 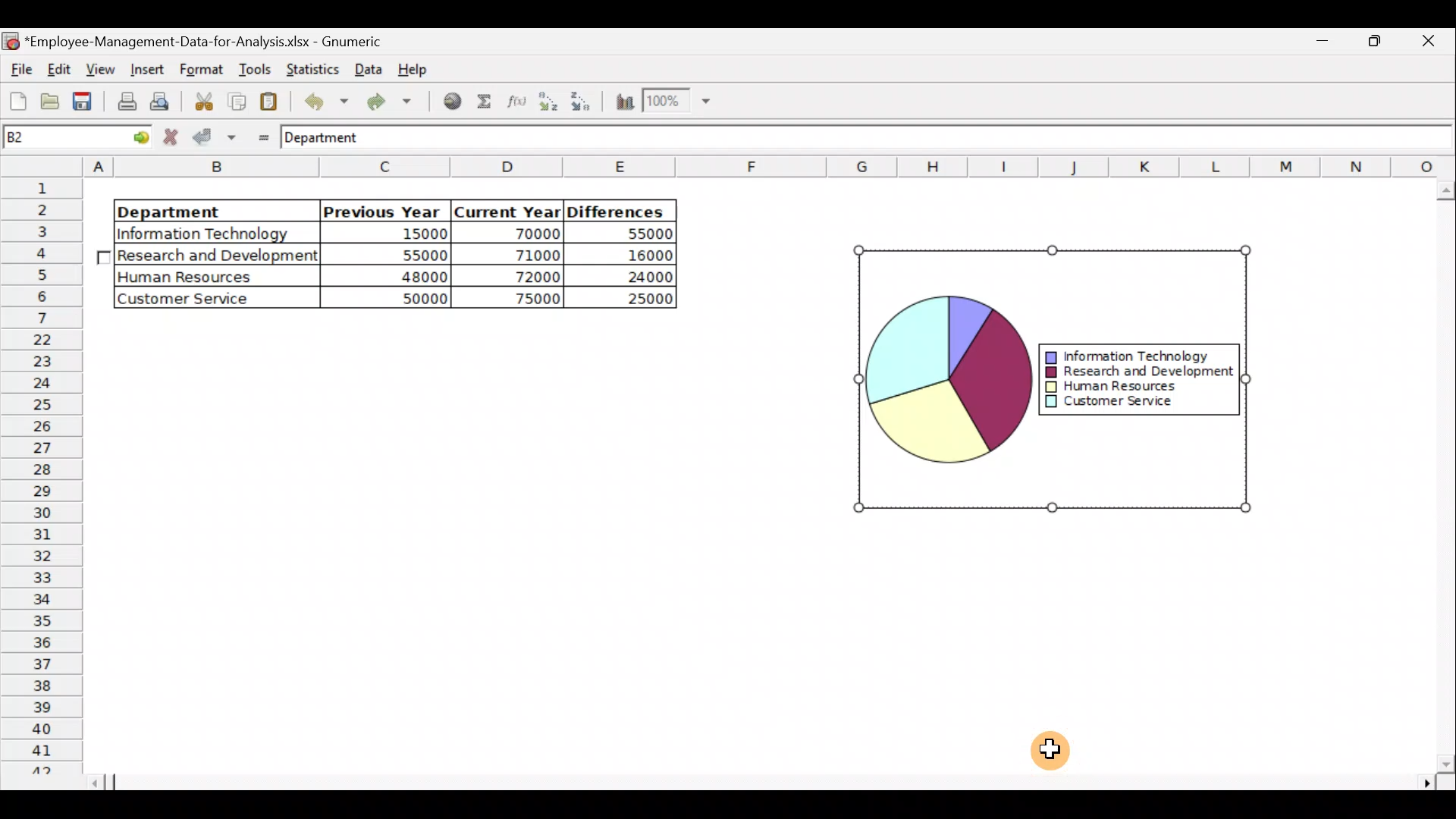 What do you see at coordinates (633, 255) in the screenshot?
I see `16000` at bounding box center [633, 255].